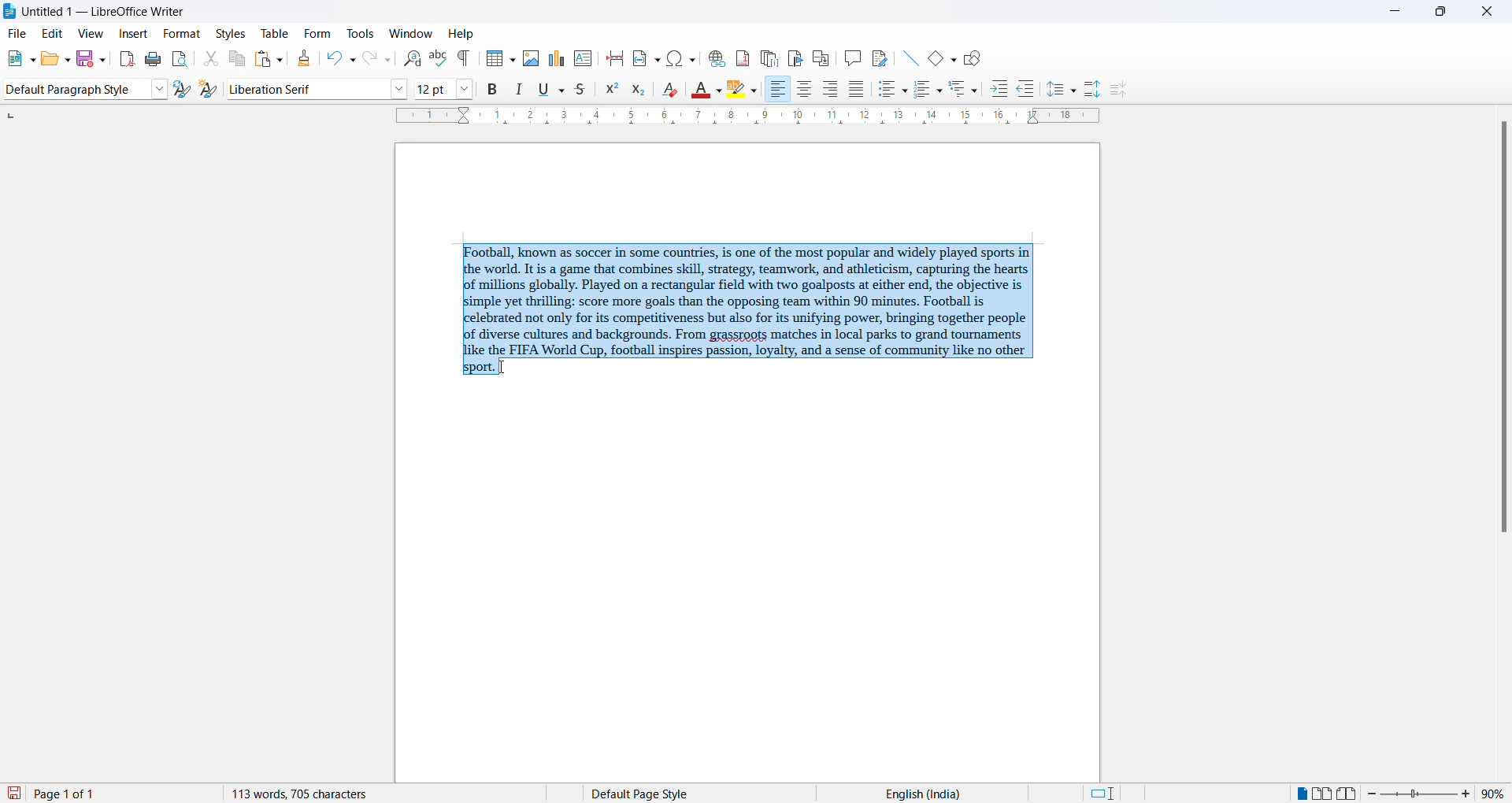 The width and height of the screenshot is (1512, 803). Describe the element at coordinates (741, 58) in the screenshot. I see `insert footnote` at that location.